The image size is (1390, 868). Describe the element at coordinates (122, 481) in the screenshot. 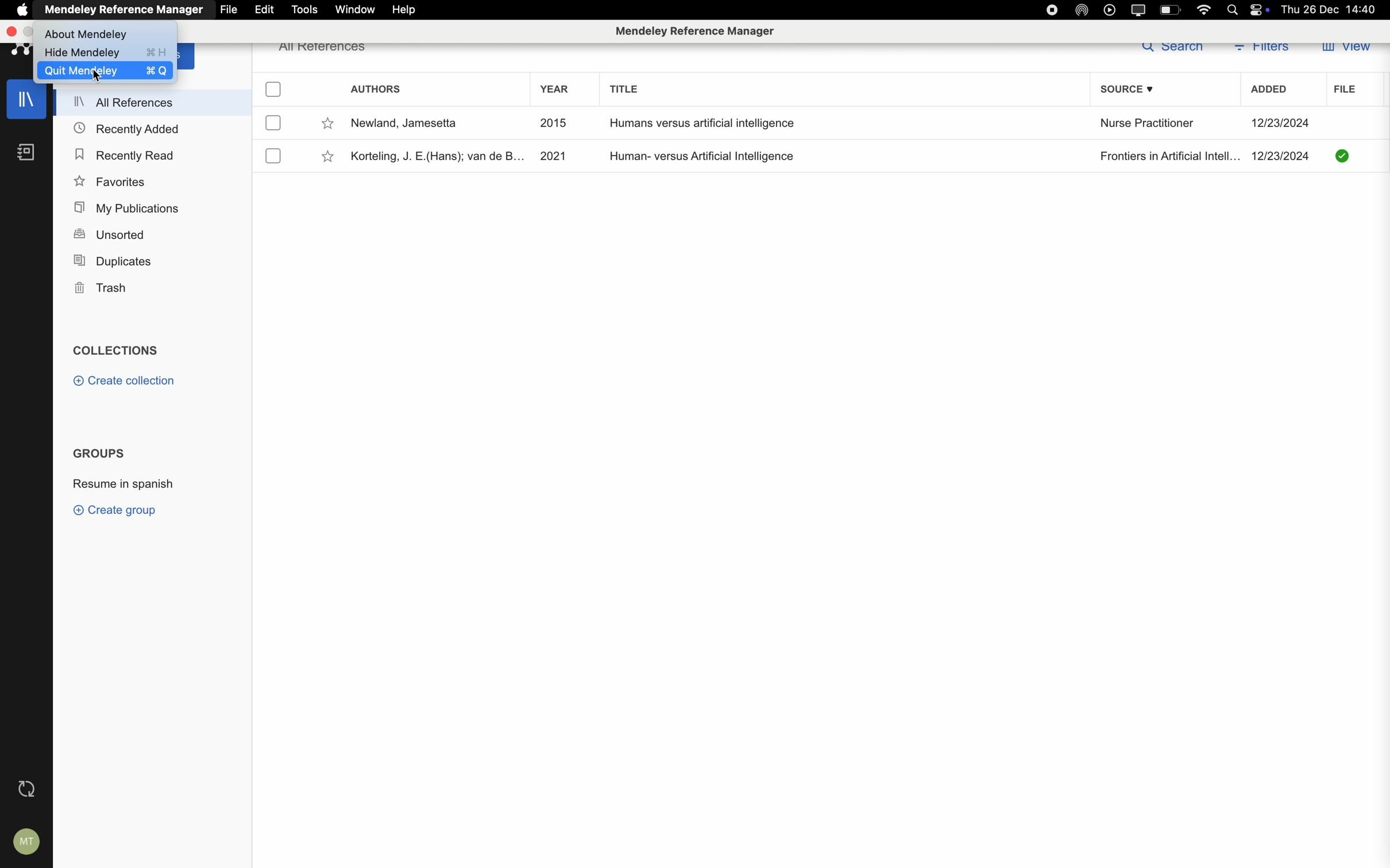

I see `resume in spanish` at that location.